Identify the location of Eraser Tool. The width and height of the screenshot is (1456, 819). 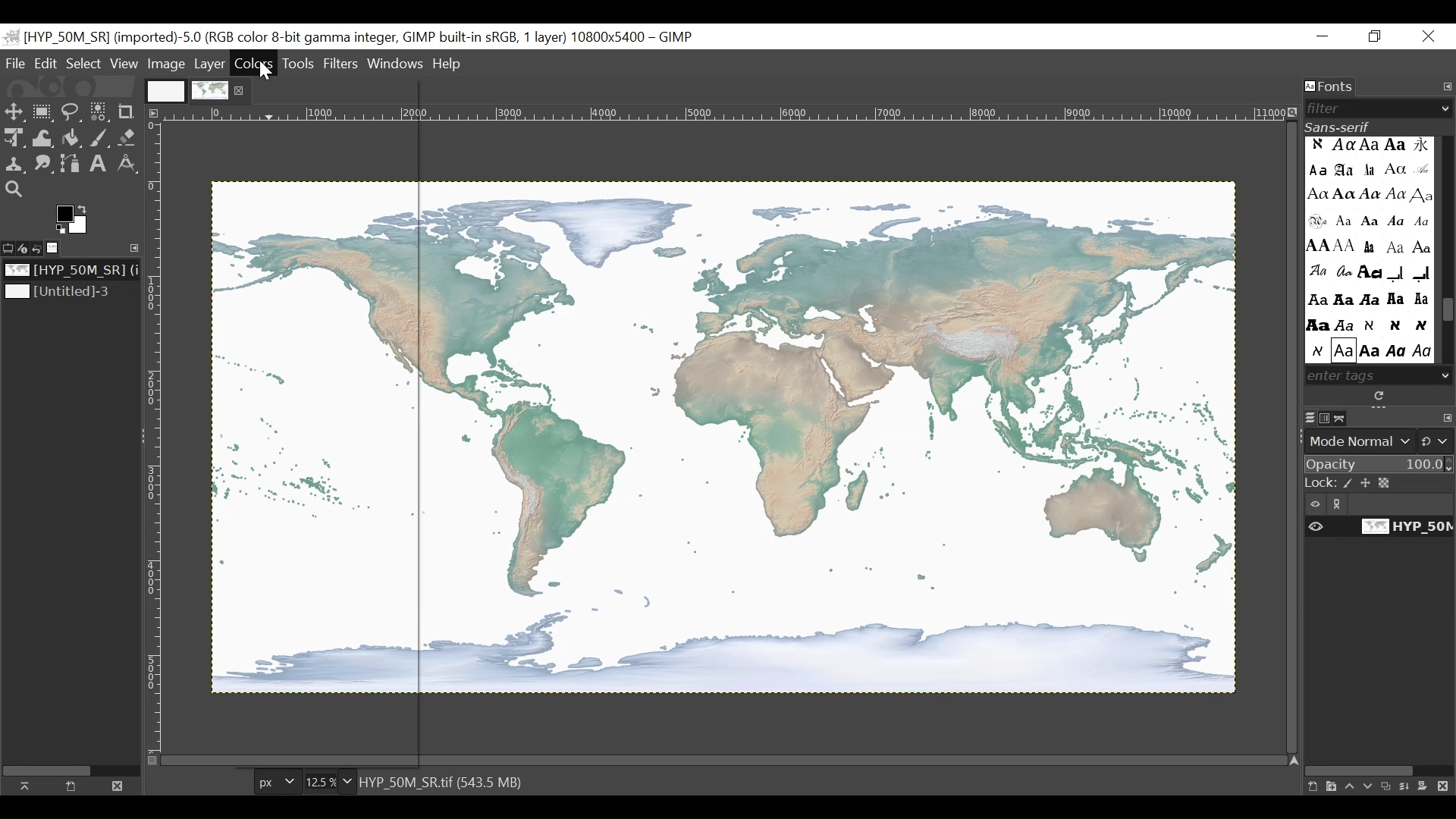
(128, 140).